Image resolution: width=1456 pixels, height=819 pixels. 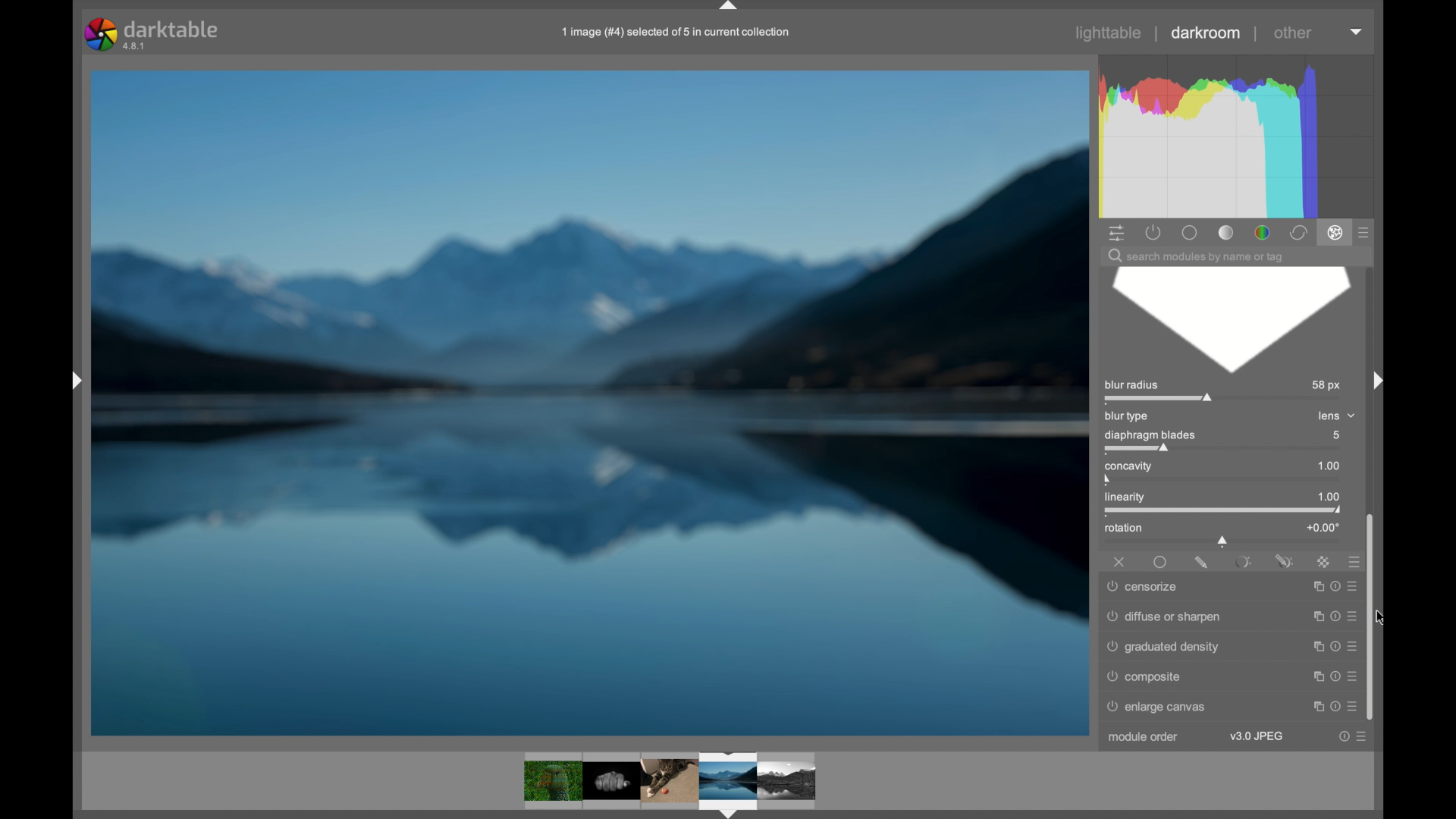 I want to click on histogram, so click(x=1241, y=135).